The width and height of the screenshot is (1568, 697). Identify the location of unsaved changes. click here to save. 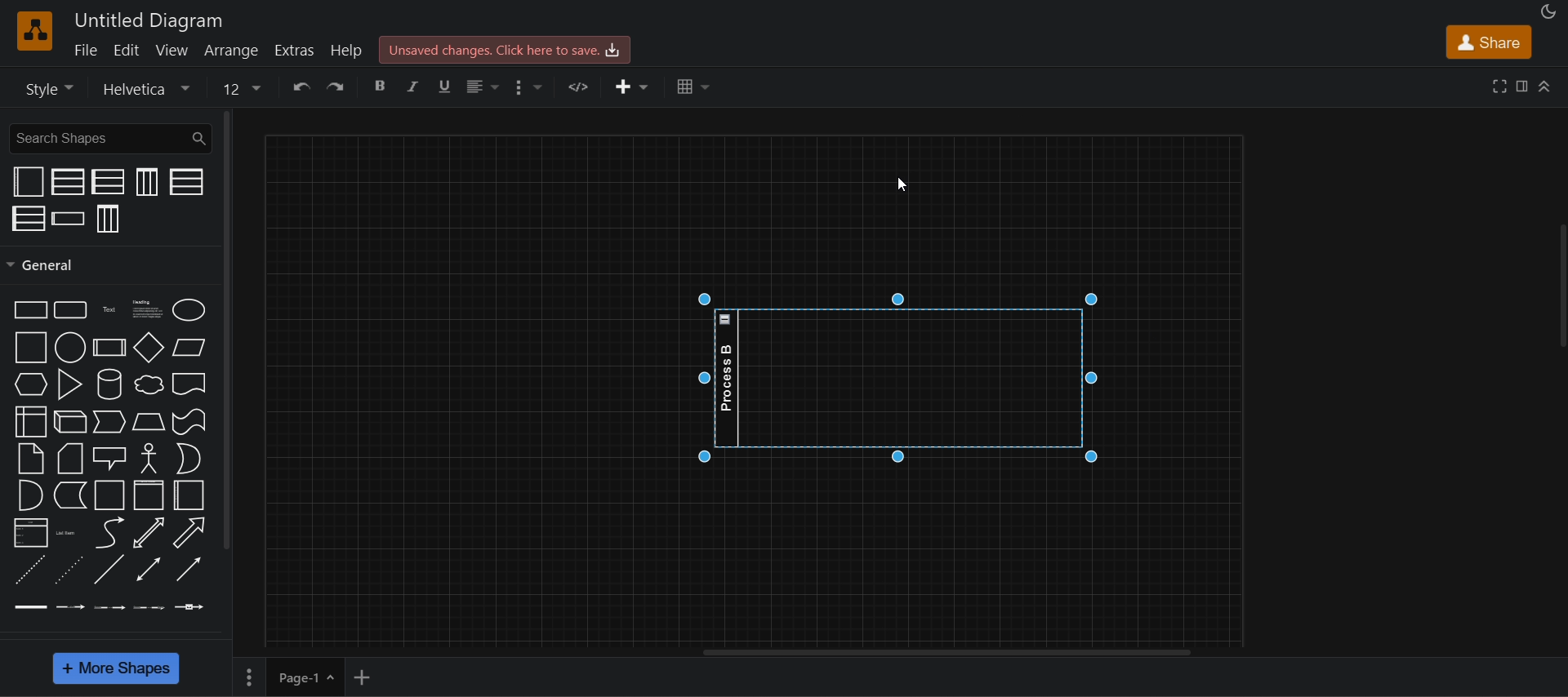
(510, 48).